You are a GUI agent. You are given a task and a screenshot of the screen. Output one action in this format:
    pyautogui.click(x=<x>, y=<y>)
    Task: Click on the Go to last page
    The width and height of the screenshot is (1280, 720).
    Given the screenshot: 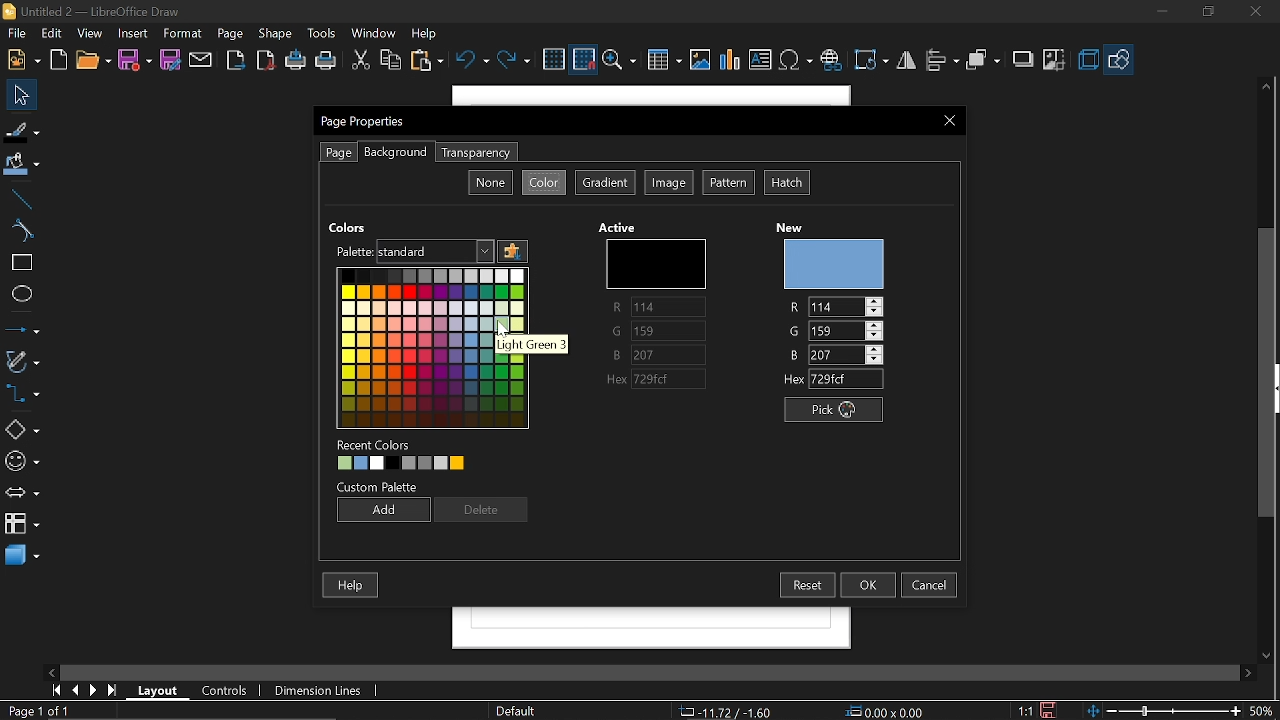 What is the action you would take?
    pyautogui.click(x=115, y=691)
    